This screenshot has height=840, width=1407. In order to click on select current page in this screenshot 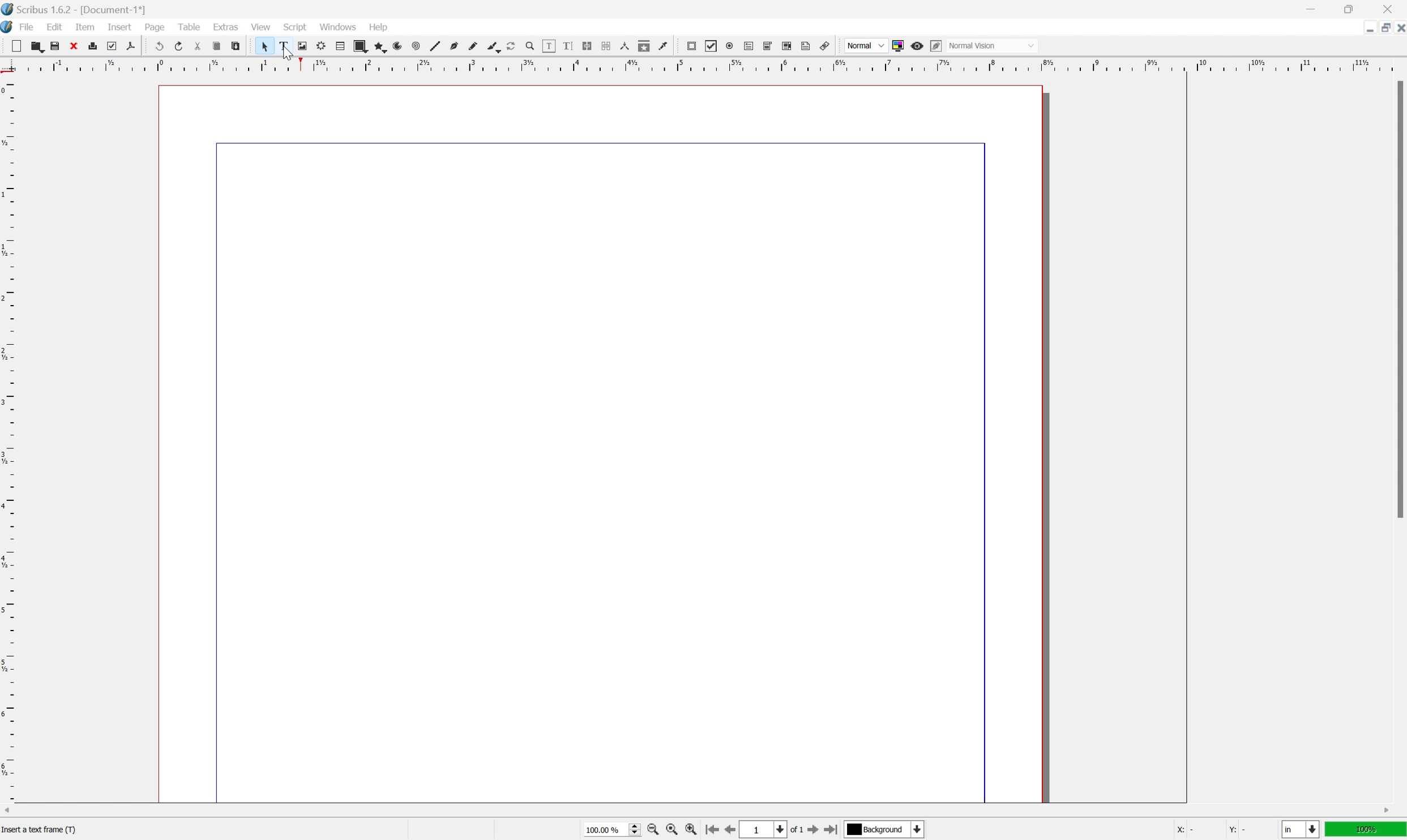, I will do `click(774, 830)`.